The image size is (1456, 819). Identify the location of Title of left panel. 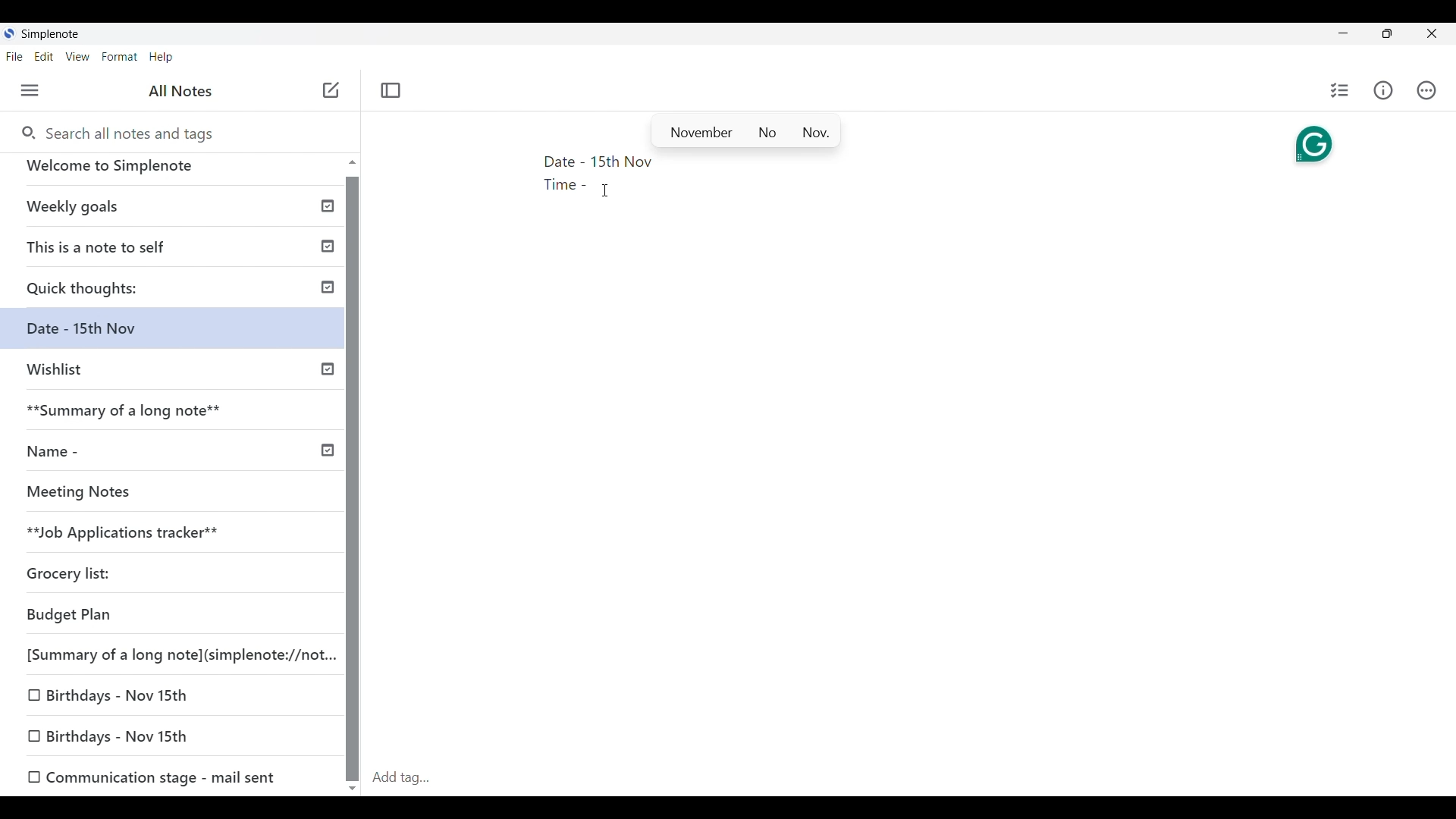
(181, 91).